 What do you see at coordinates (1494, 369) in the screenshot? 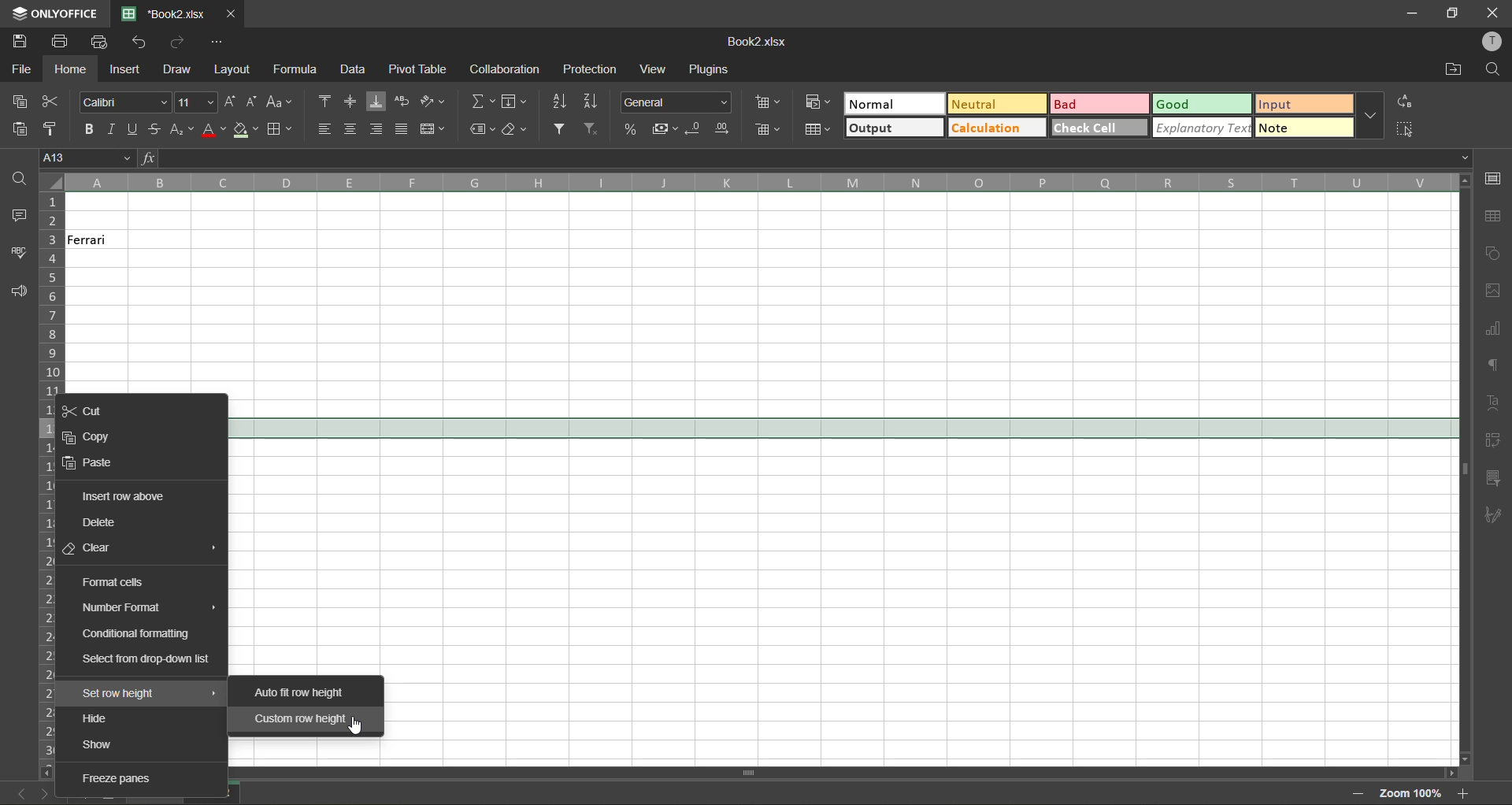
I see `paragraph` at bounding box center [1494, 369].